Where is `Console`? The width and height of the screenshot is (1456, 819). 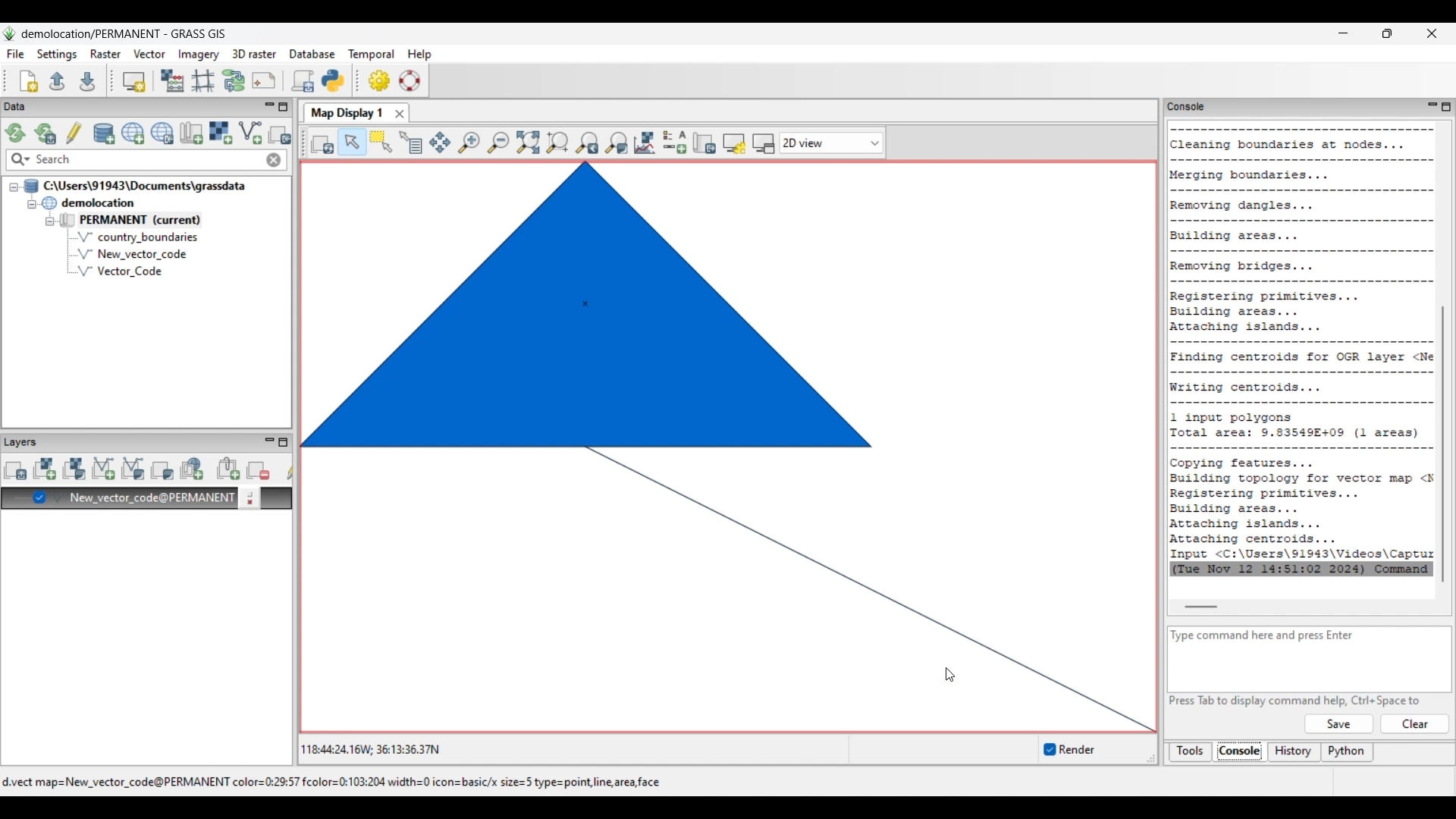
Console is located at coordinates (1240, 753).